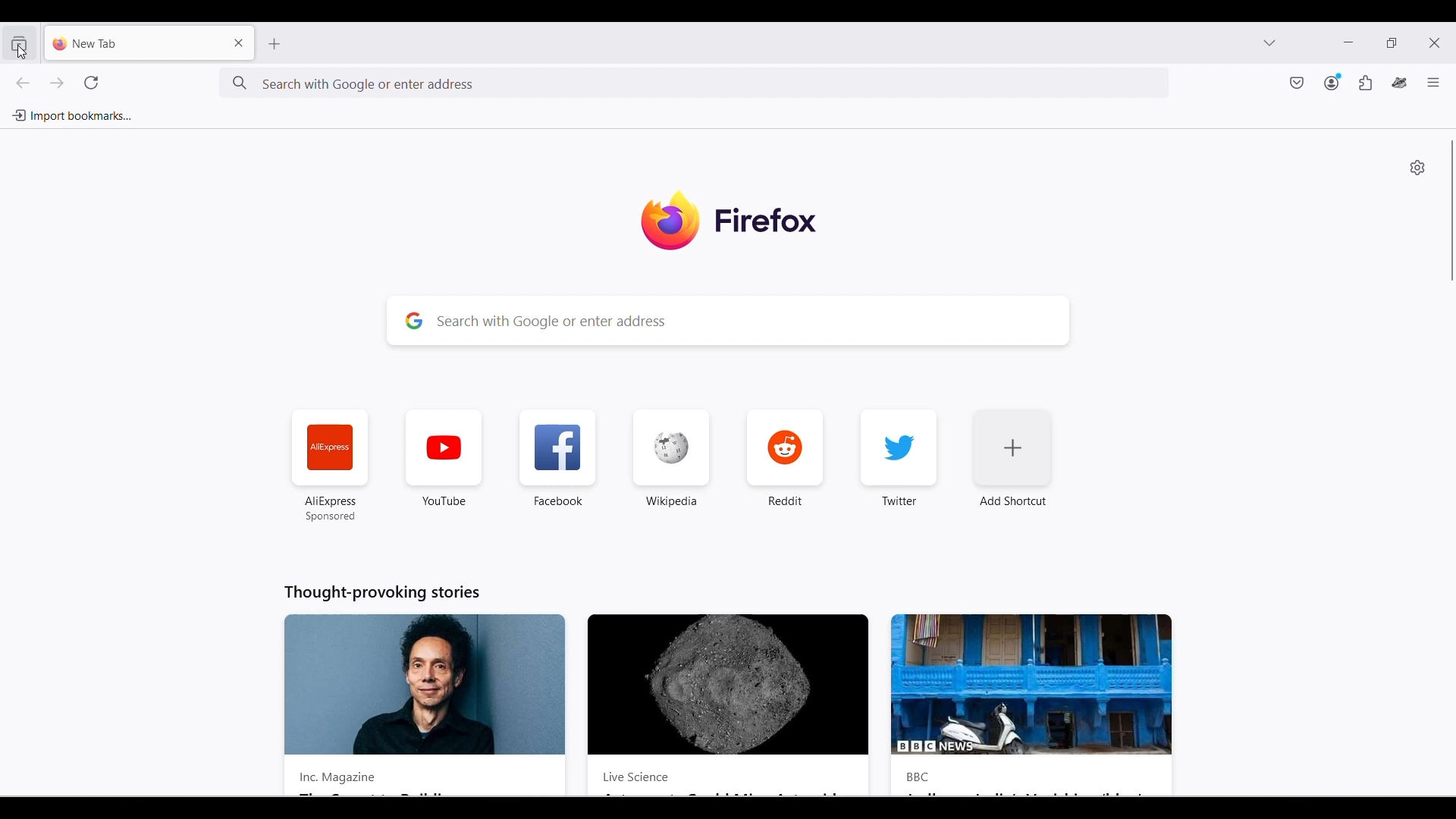  What do you see at coordinates (558, 457) in the screenshot?
I see `Facebook shortcut` at bounding box center [558, 457].